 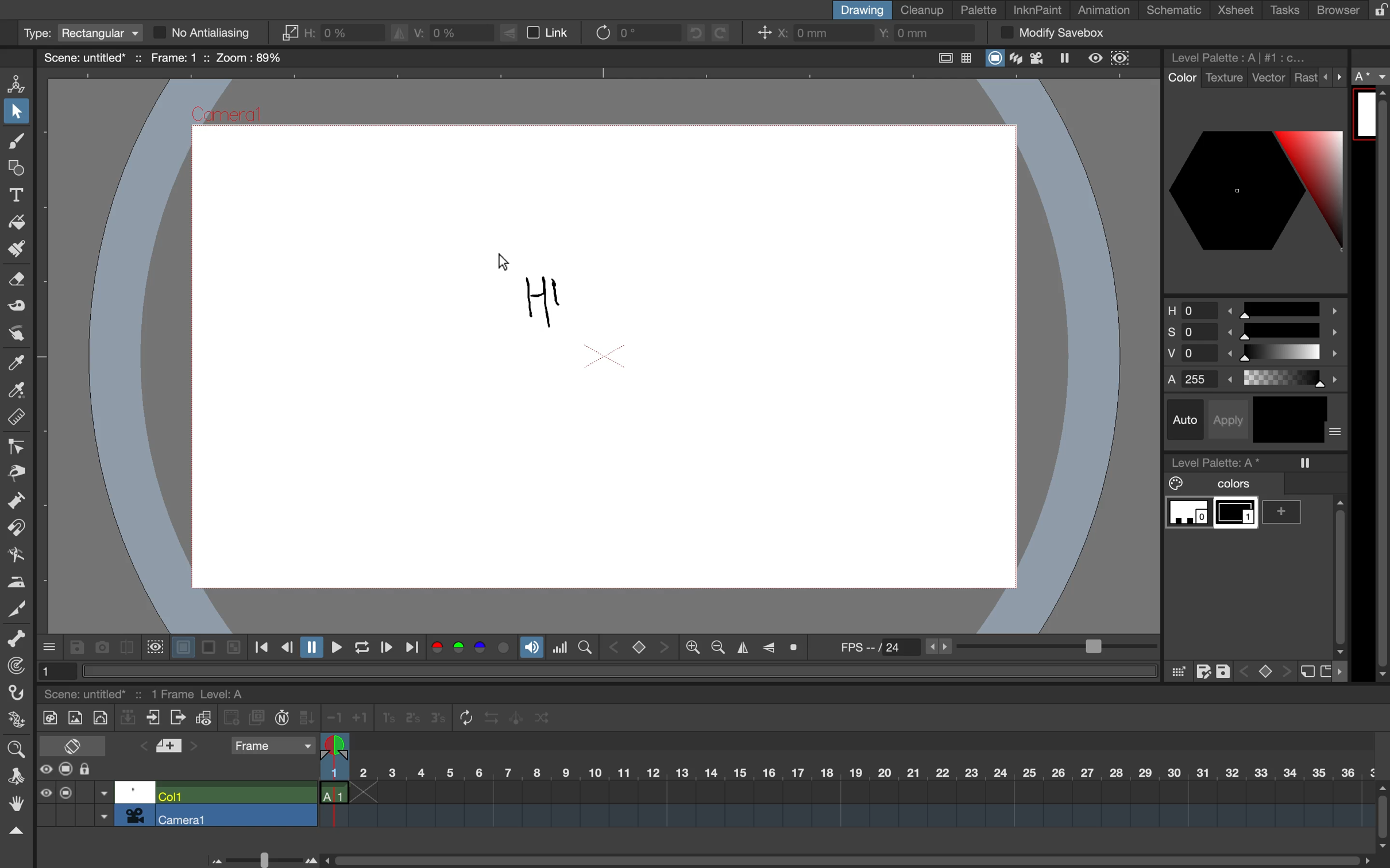 What do you see at coordinates (181, 645) in the screenshot?
I see `white background` at bounding box center [181, 645].